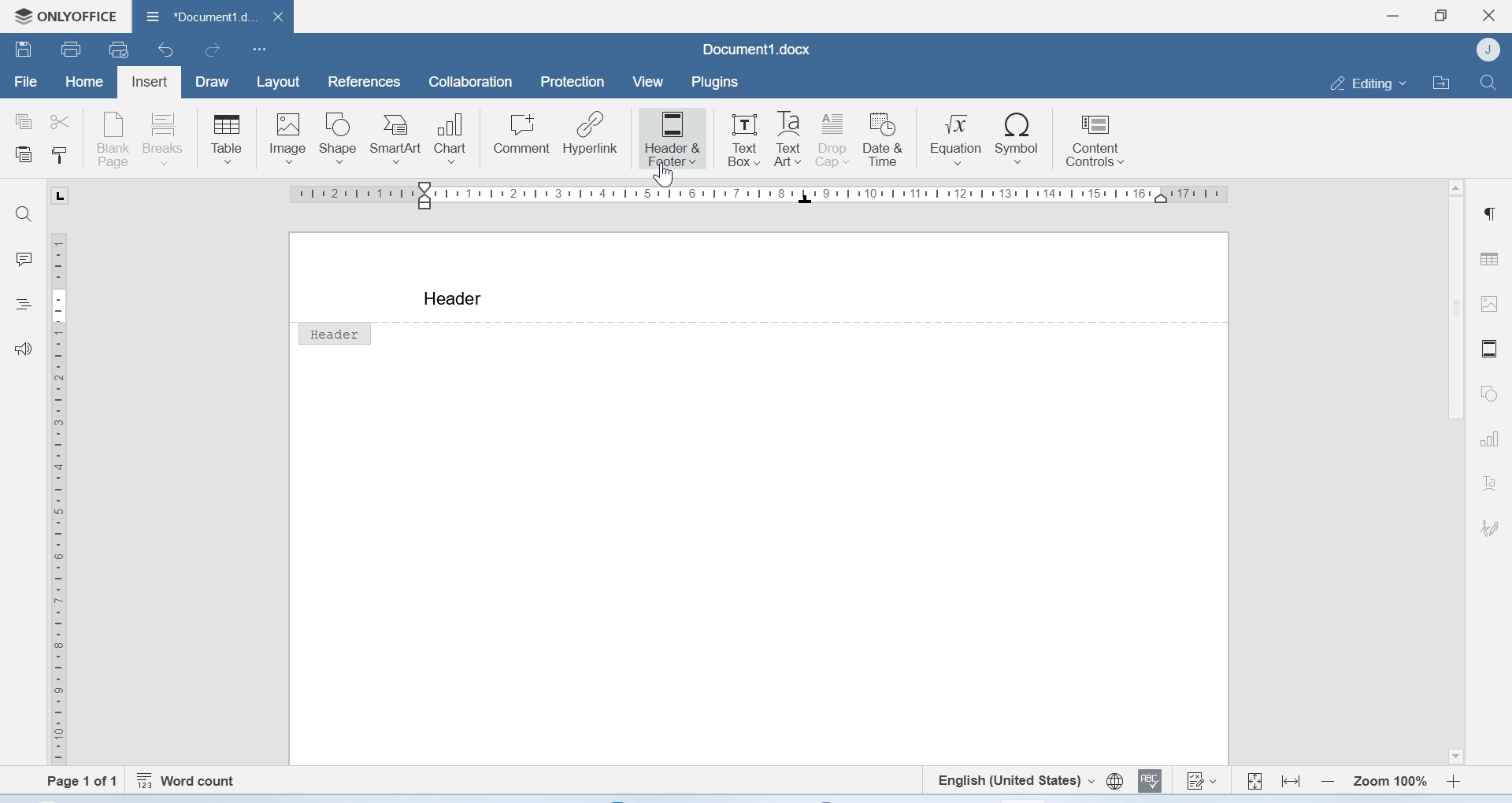 The image size is (1512, 803). Describe the element at coordinates (1455, 187) in the screenshot. I see `Scroll up` at that location.